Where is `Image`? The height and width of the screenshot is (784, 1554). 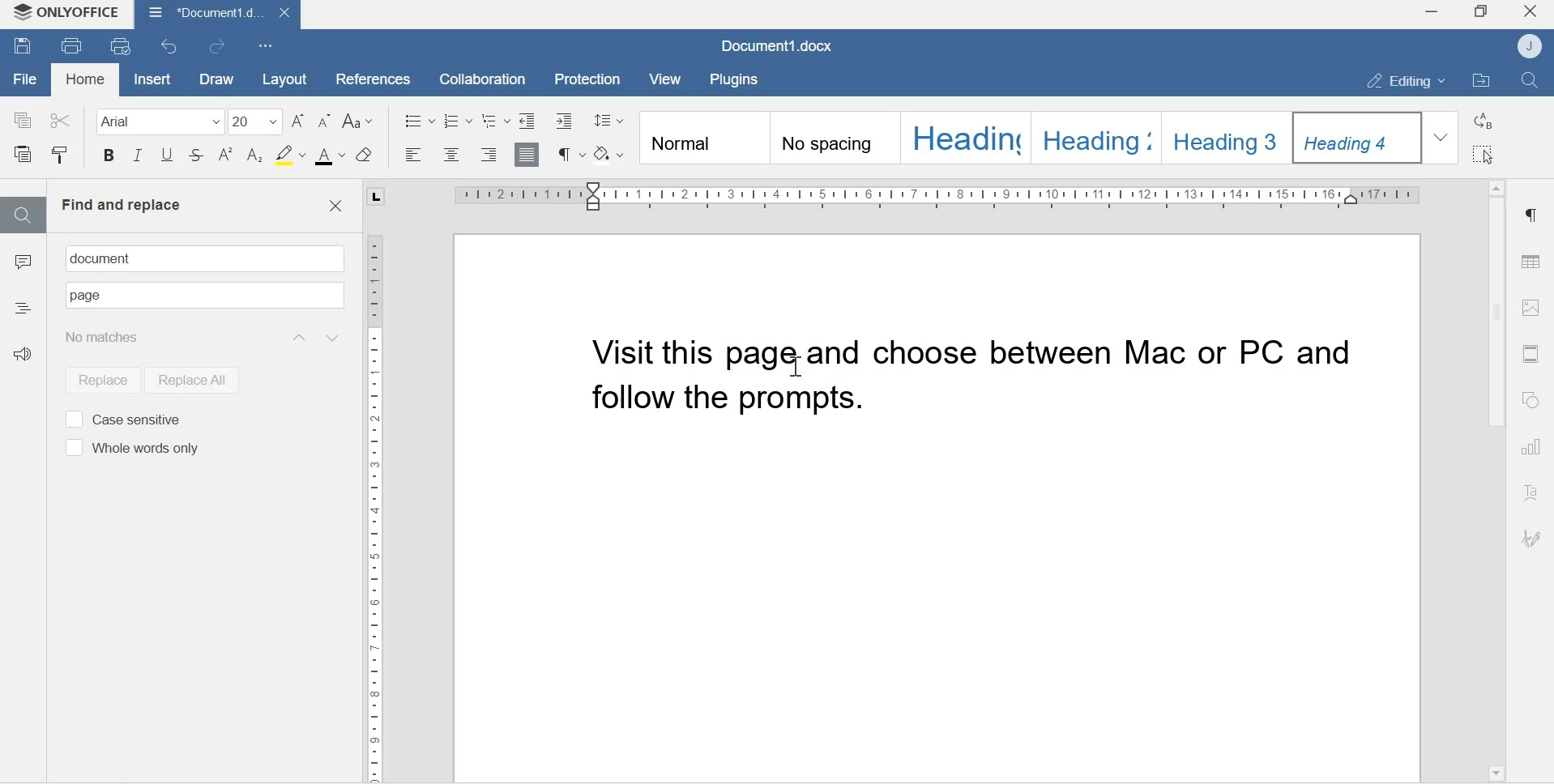 Image is located at coordinates (1531, 307).